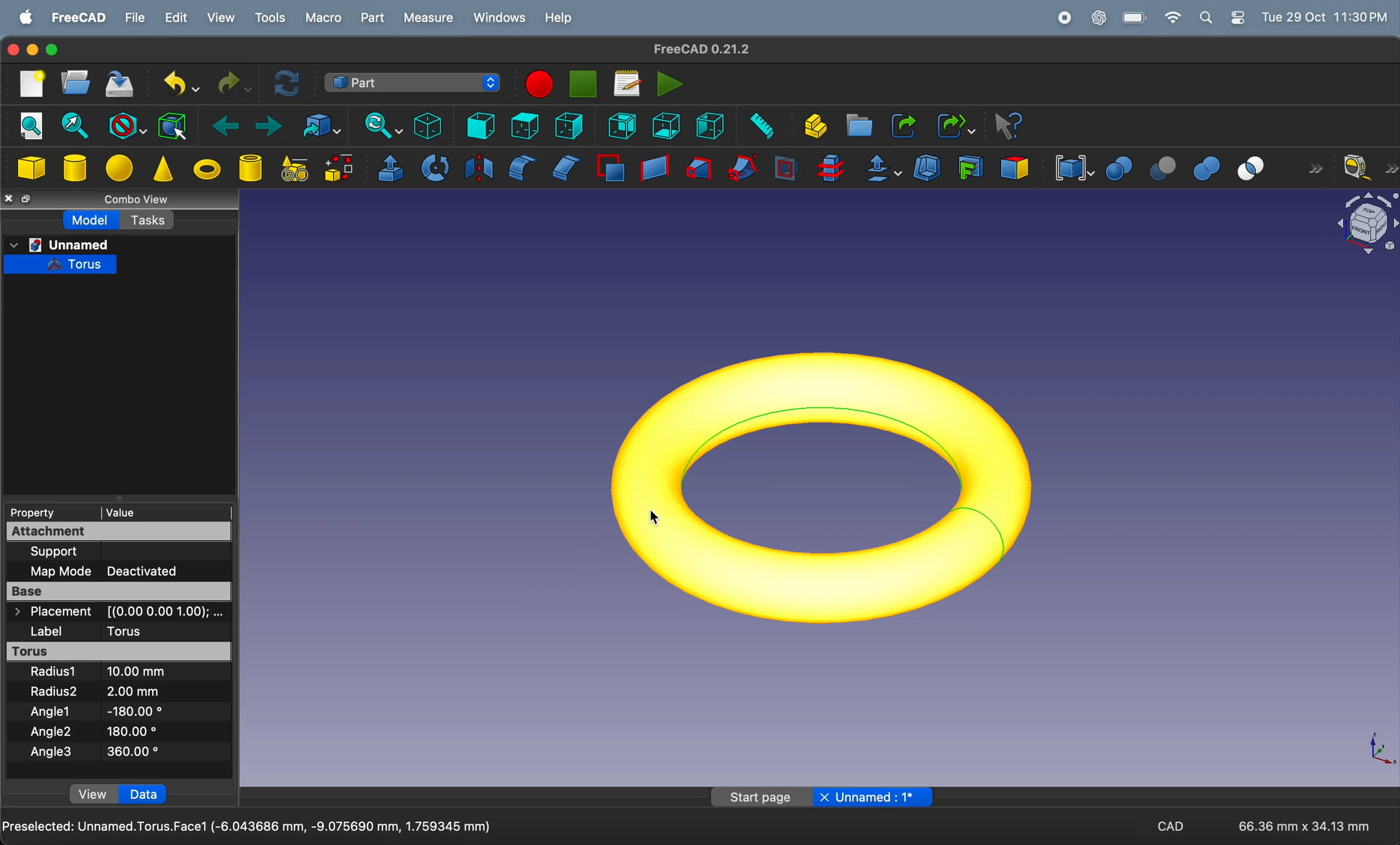 The image size is (1400, 845). I want to click on windows, so click(499, 17).